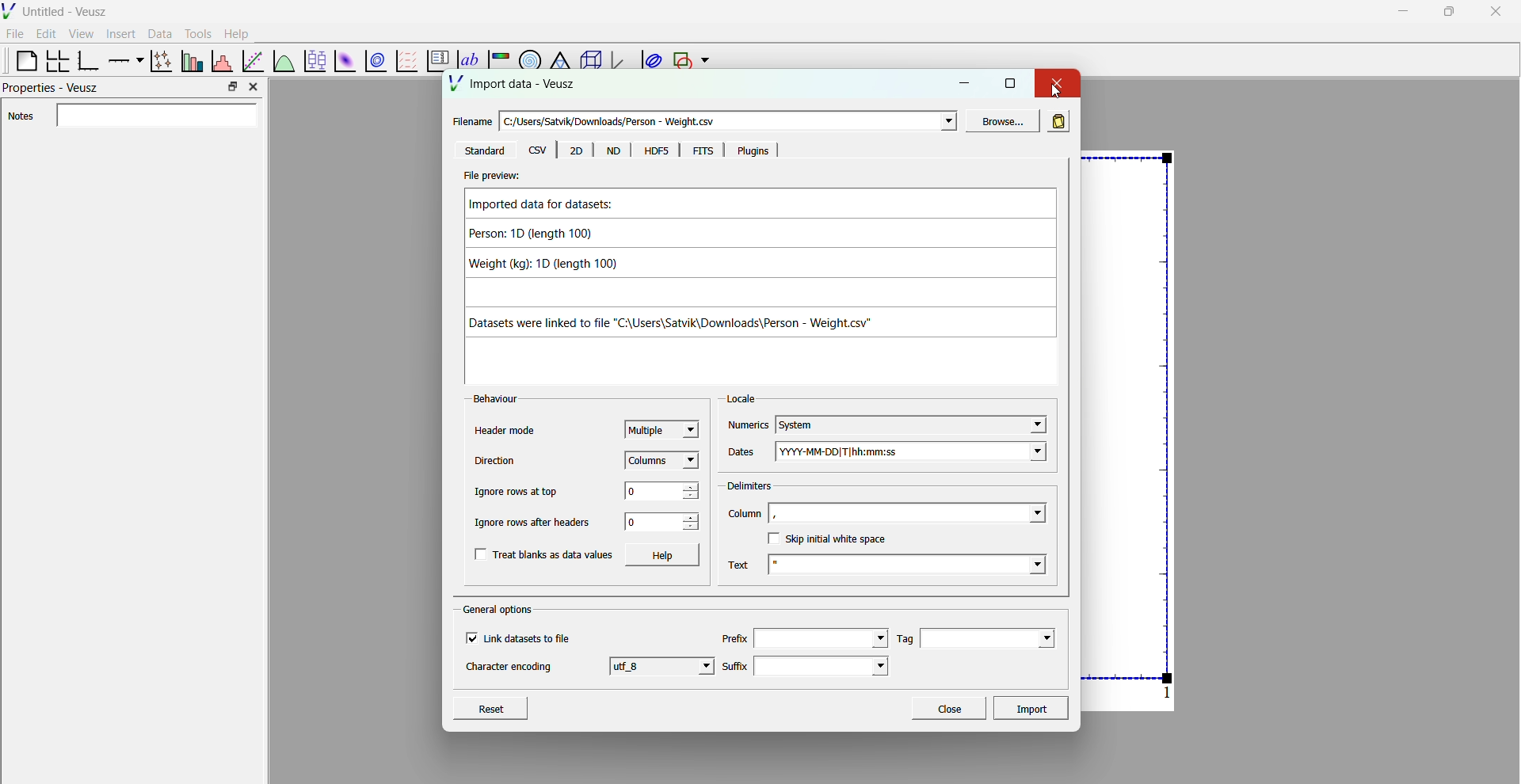  Describe the element at coordinates (497, 461) in the screenshot. I see `Direction` at that location.